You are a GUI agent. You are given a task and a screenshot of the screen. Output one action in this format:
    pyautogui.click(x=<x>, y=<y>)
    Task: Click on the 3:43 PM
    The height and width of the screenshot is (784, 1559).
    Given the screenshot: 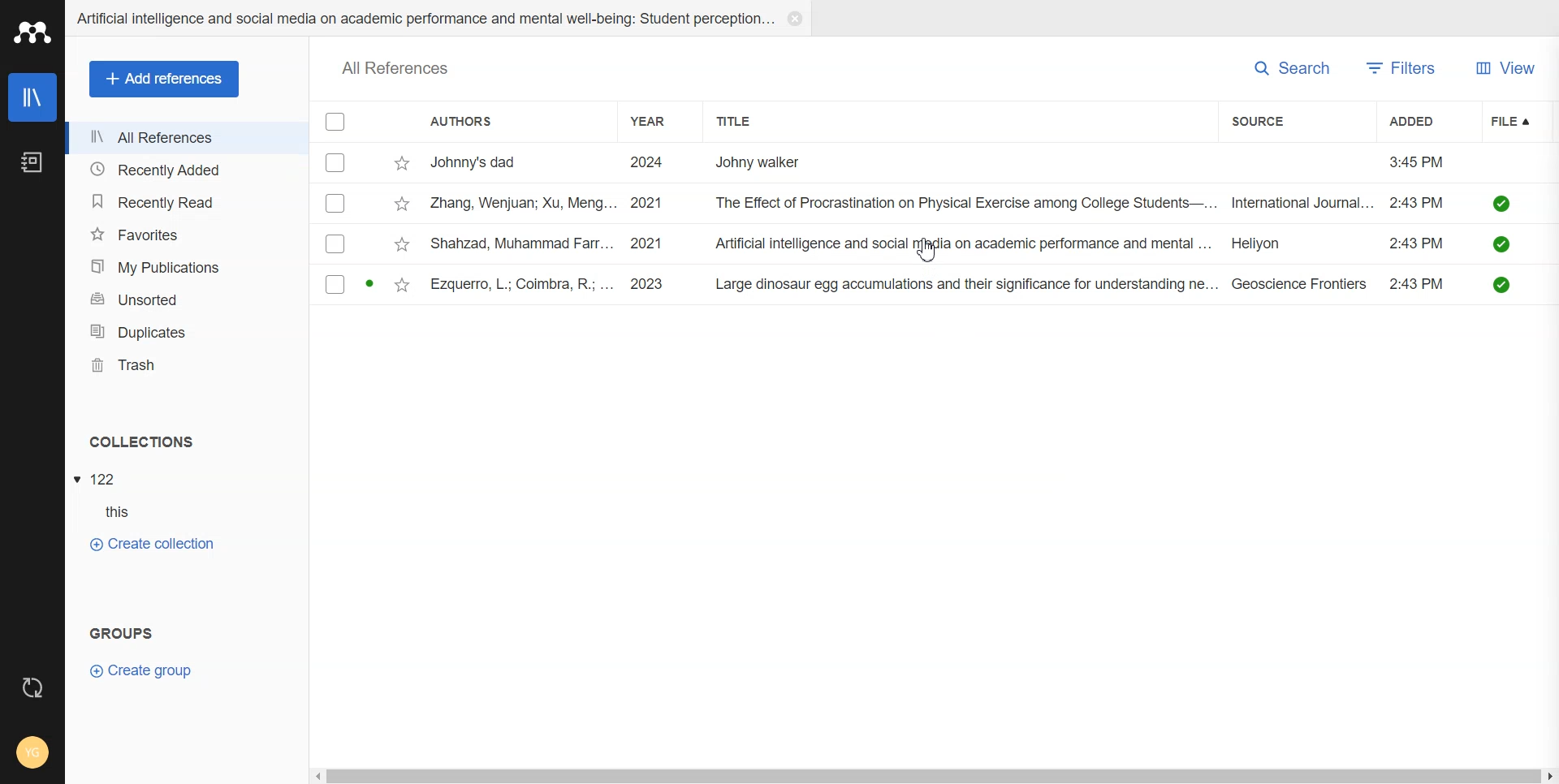 What is the action you would take?
    pyautogui.click(x=1417, y=243)
    